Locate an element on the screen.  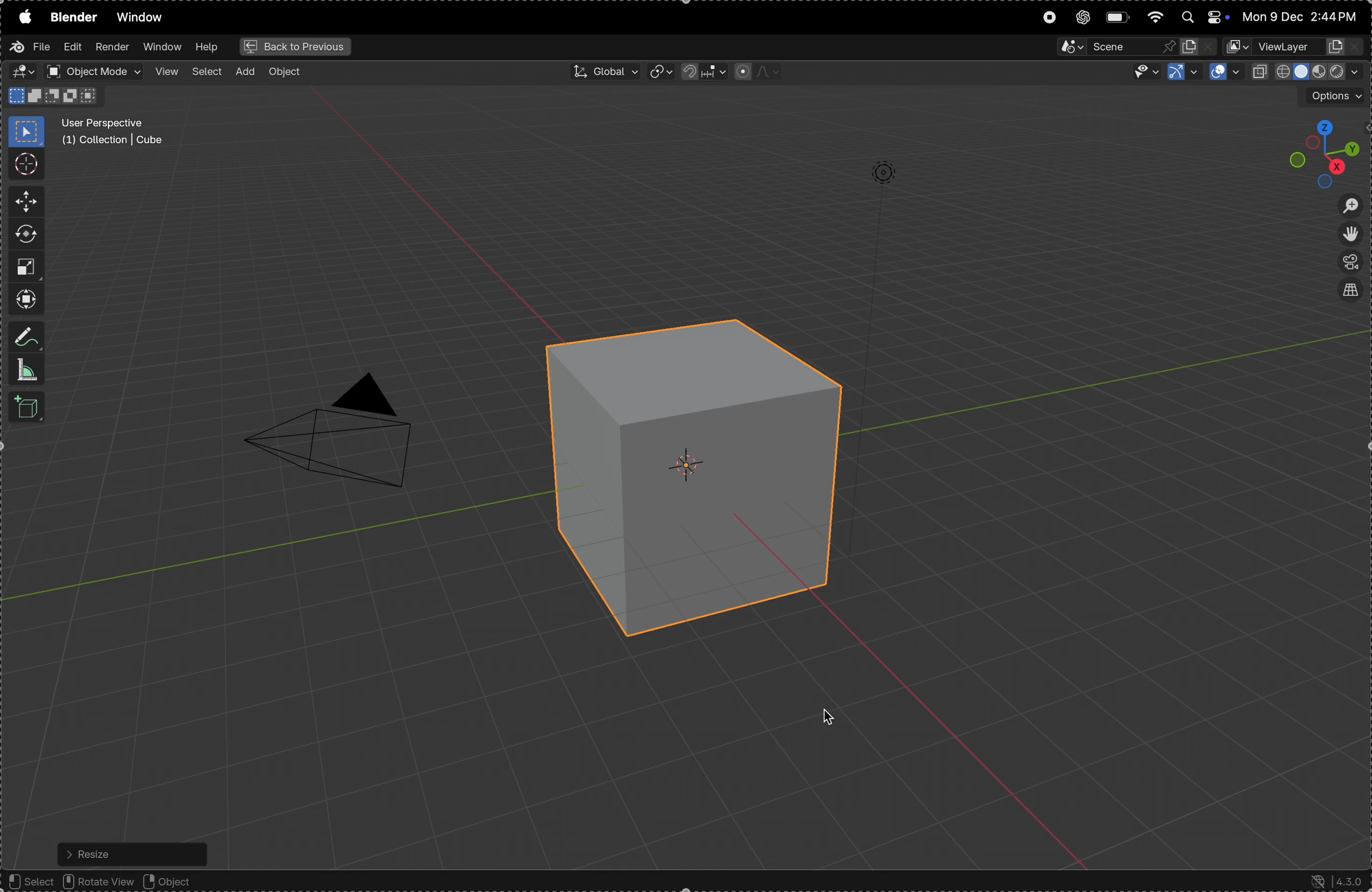
select is located at coordinates (29, 882).